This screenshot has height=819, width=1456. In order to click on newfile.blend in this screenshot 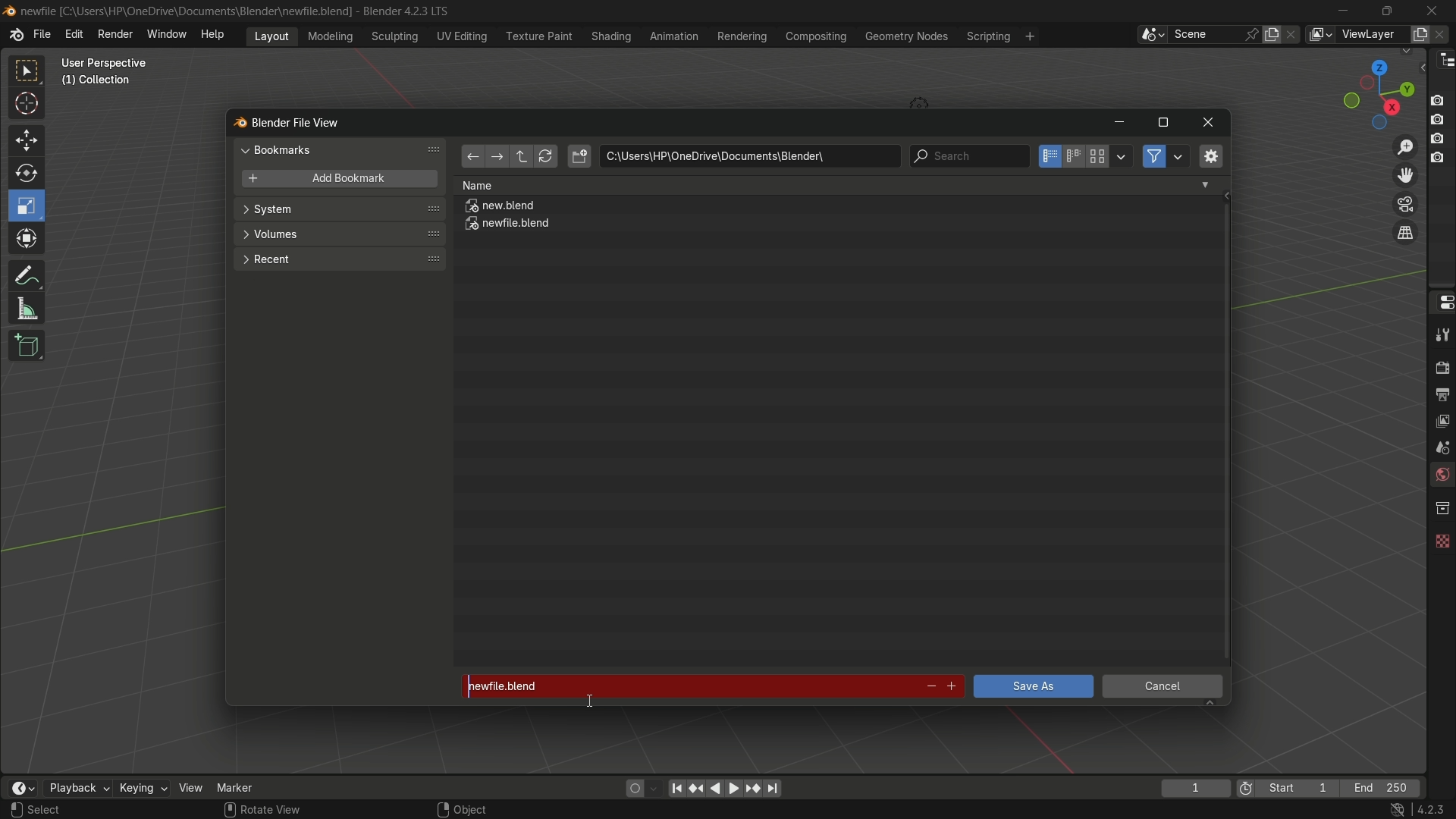, I will do `click(684, 686)`.